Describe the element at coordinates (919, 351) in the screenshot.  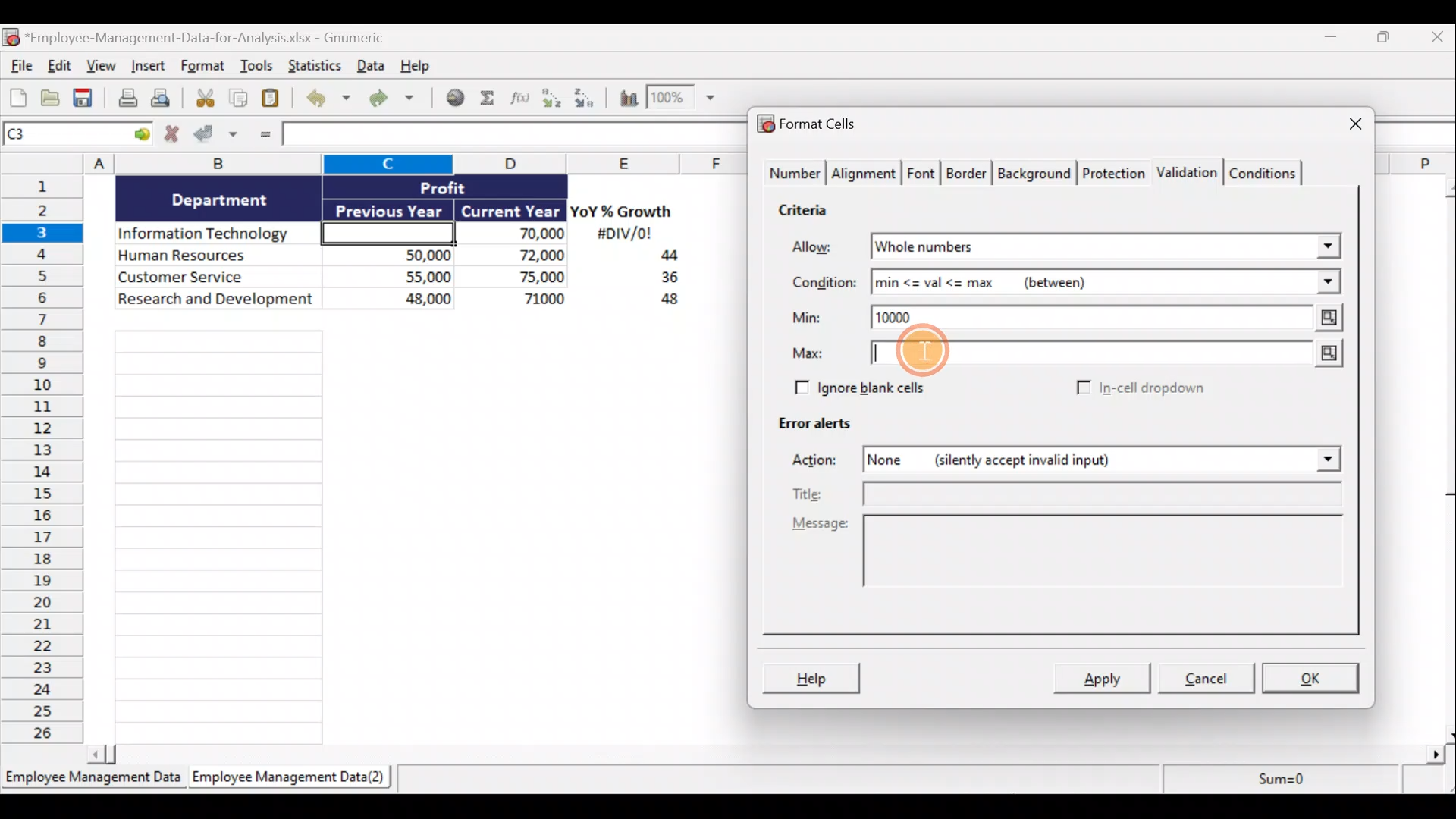
I see `Cursor` at that location.